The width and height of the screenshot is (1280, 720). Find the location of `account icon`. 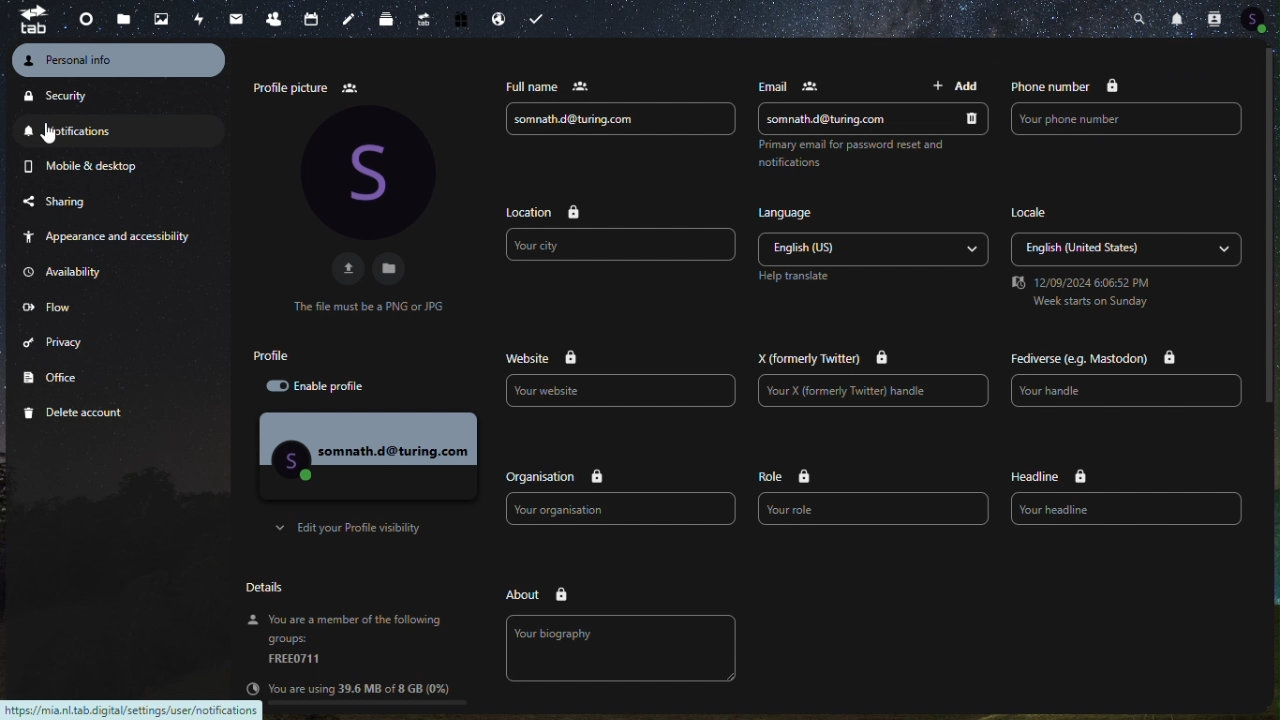

account icon is located at coordinates (1256, 21).